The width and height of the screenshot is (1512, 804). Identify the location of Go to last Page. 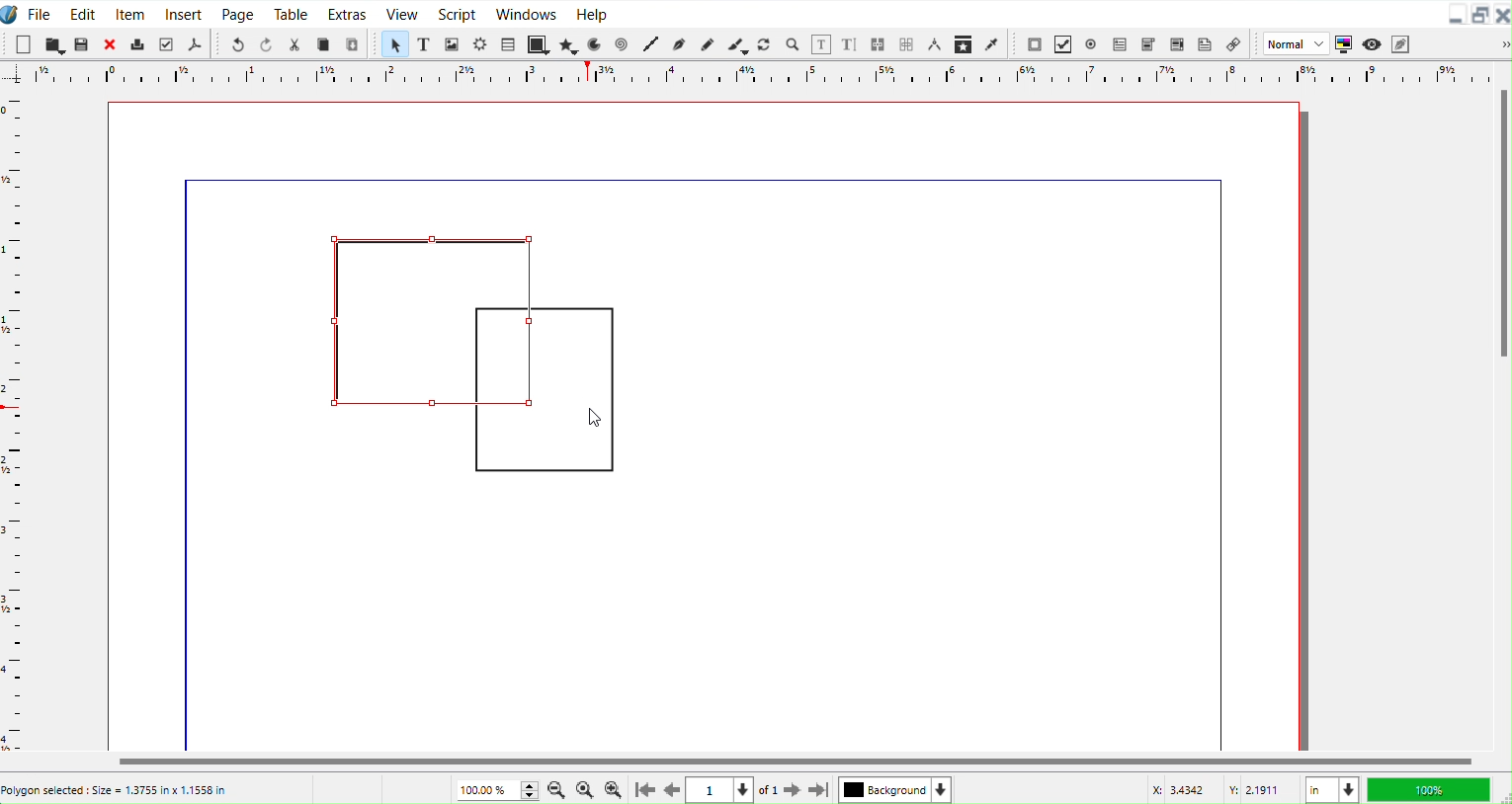
(820, 792).